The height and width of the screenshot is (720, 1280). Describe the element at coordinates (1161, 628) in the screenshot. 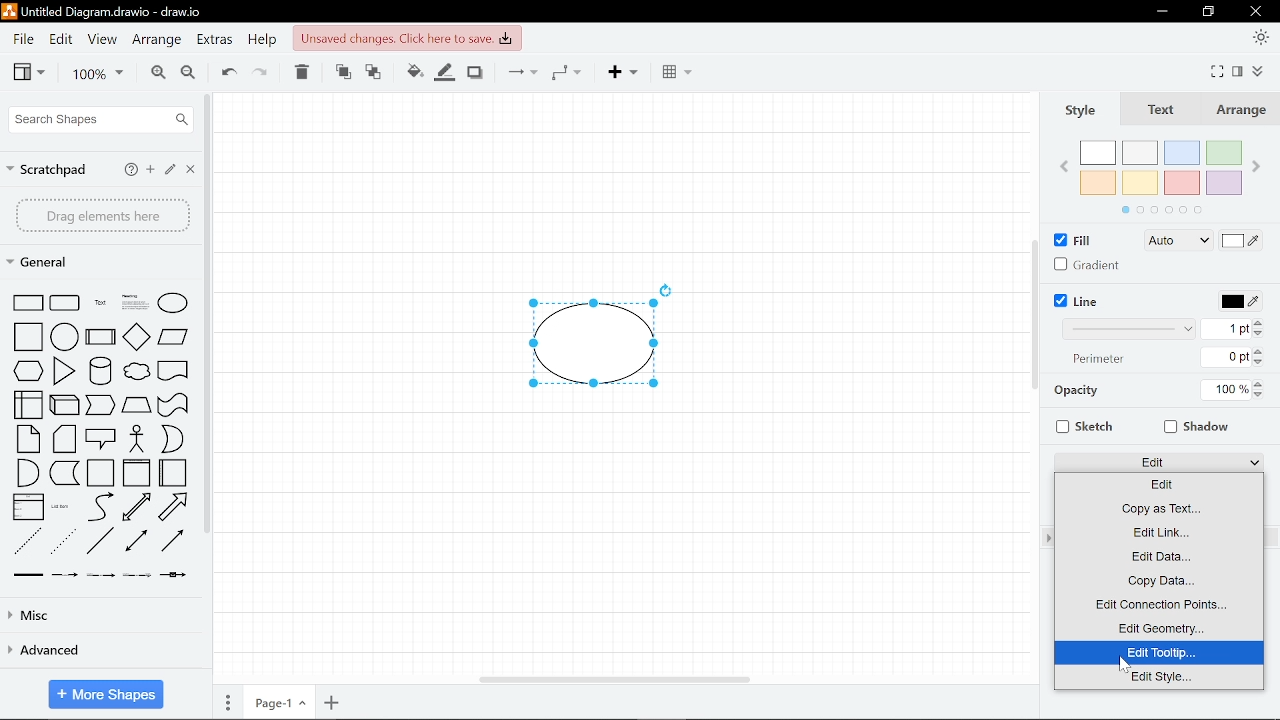

I see `Edit geometry` at that location.